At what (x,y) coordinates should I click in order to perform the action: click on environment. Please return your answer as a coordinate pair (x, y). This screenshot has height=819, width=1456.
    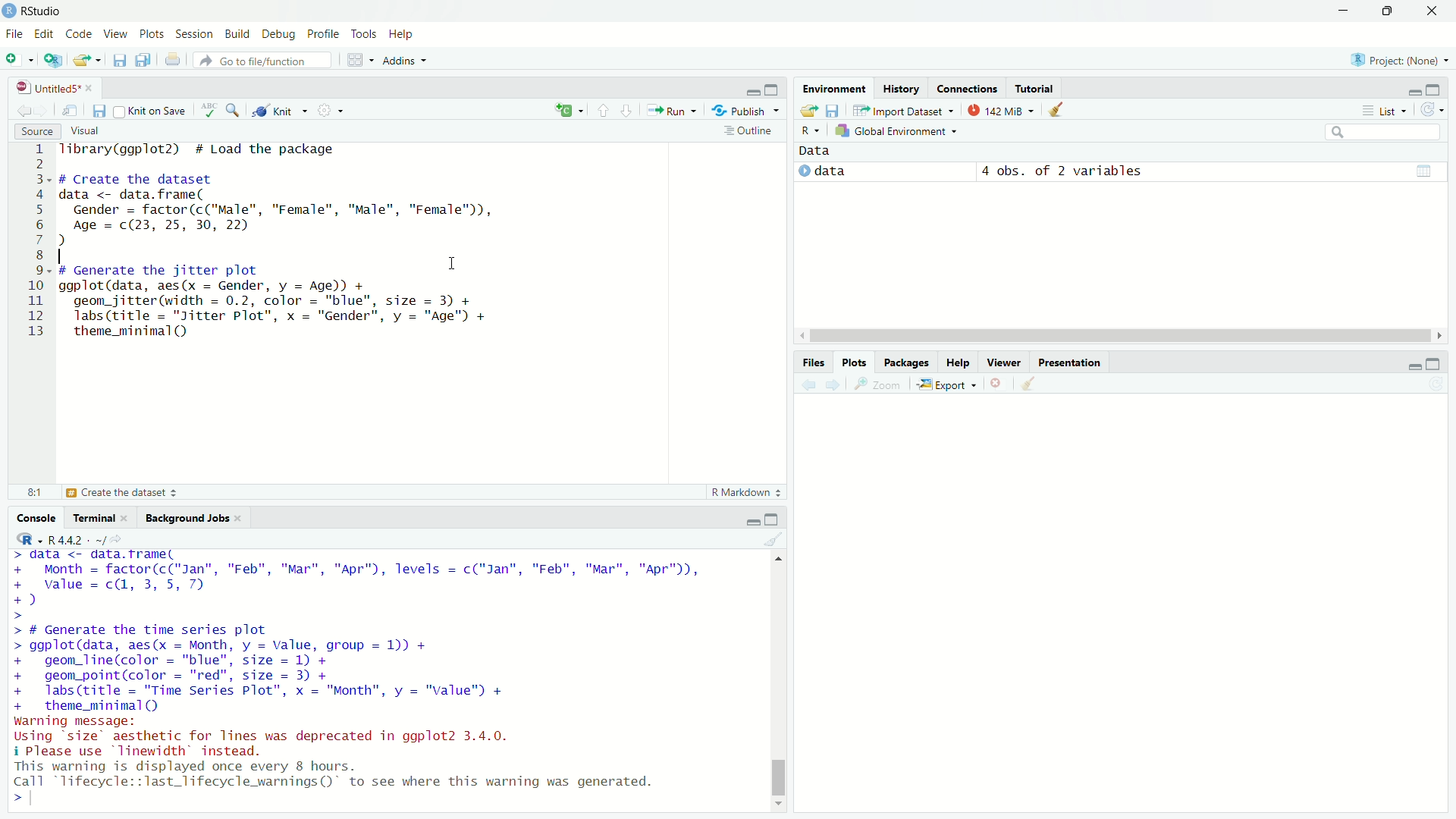
    Looking at the image, I should click on (835, 88).